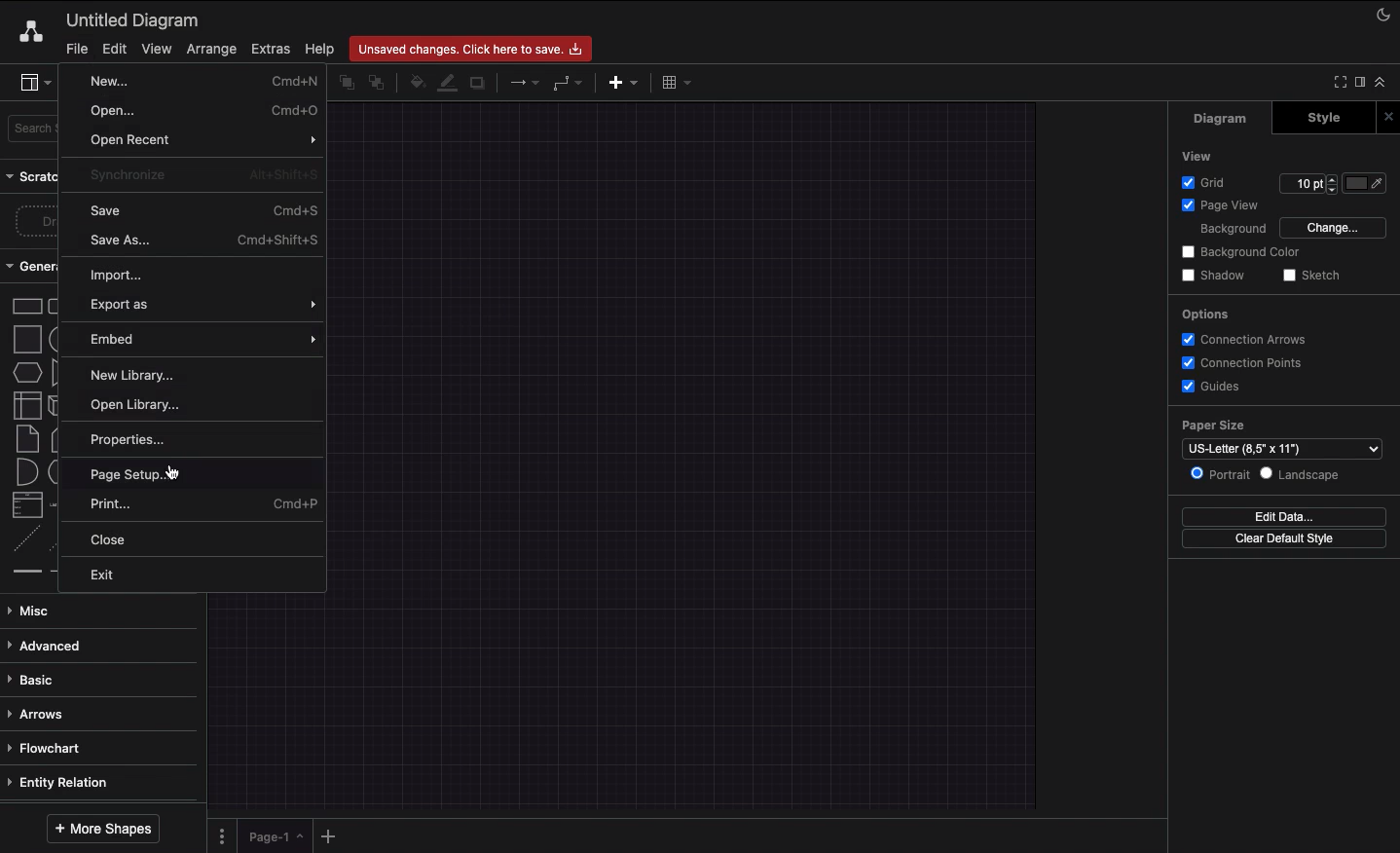 Image resolution: width=1400 pixels, height=853 pixels. What do you see at coordinates (1243, 362) in the screenshot?
I see `Connection points` at bounding box center [1243, 362].